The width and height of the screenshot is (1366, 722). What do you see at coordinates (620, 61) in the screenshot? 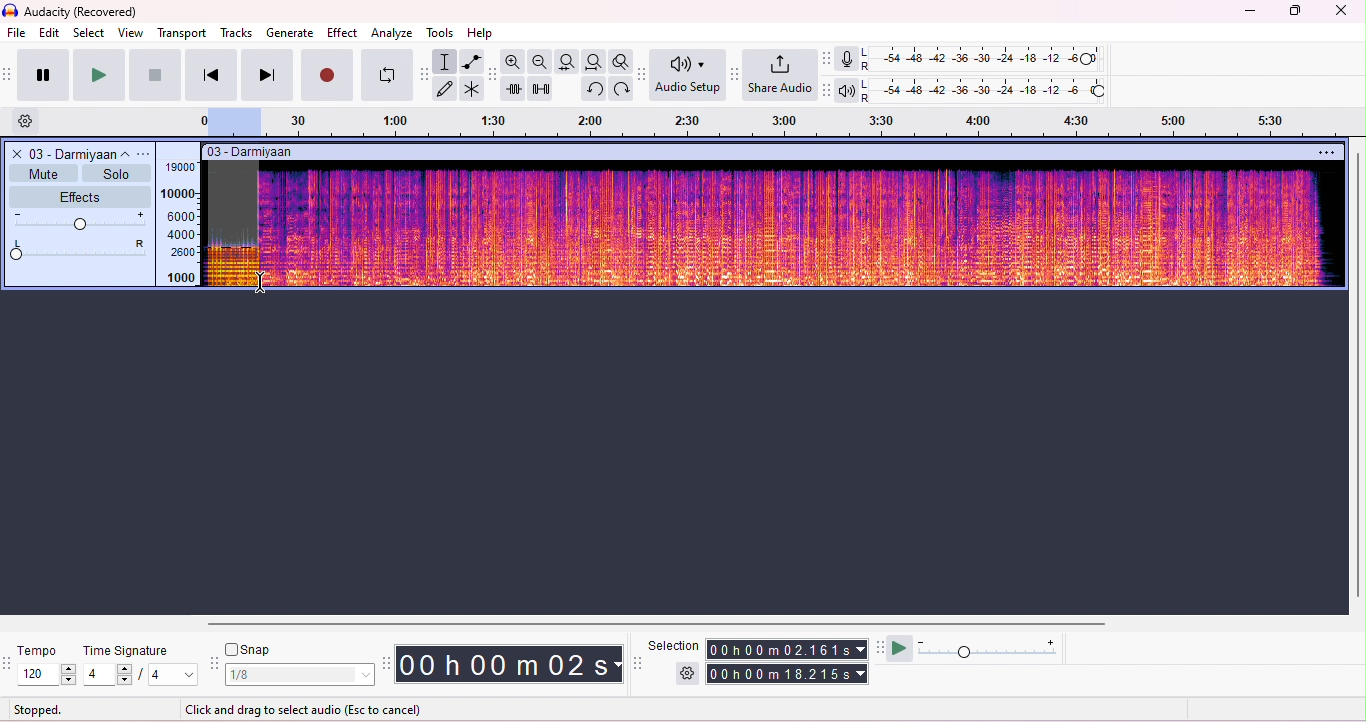
I see `toggle zoom` at bounding box center [620, 61].